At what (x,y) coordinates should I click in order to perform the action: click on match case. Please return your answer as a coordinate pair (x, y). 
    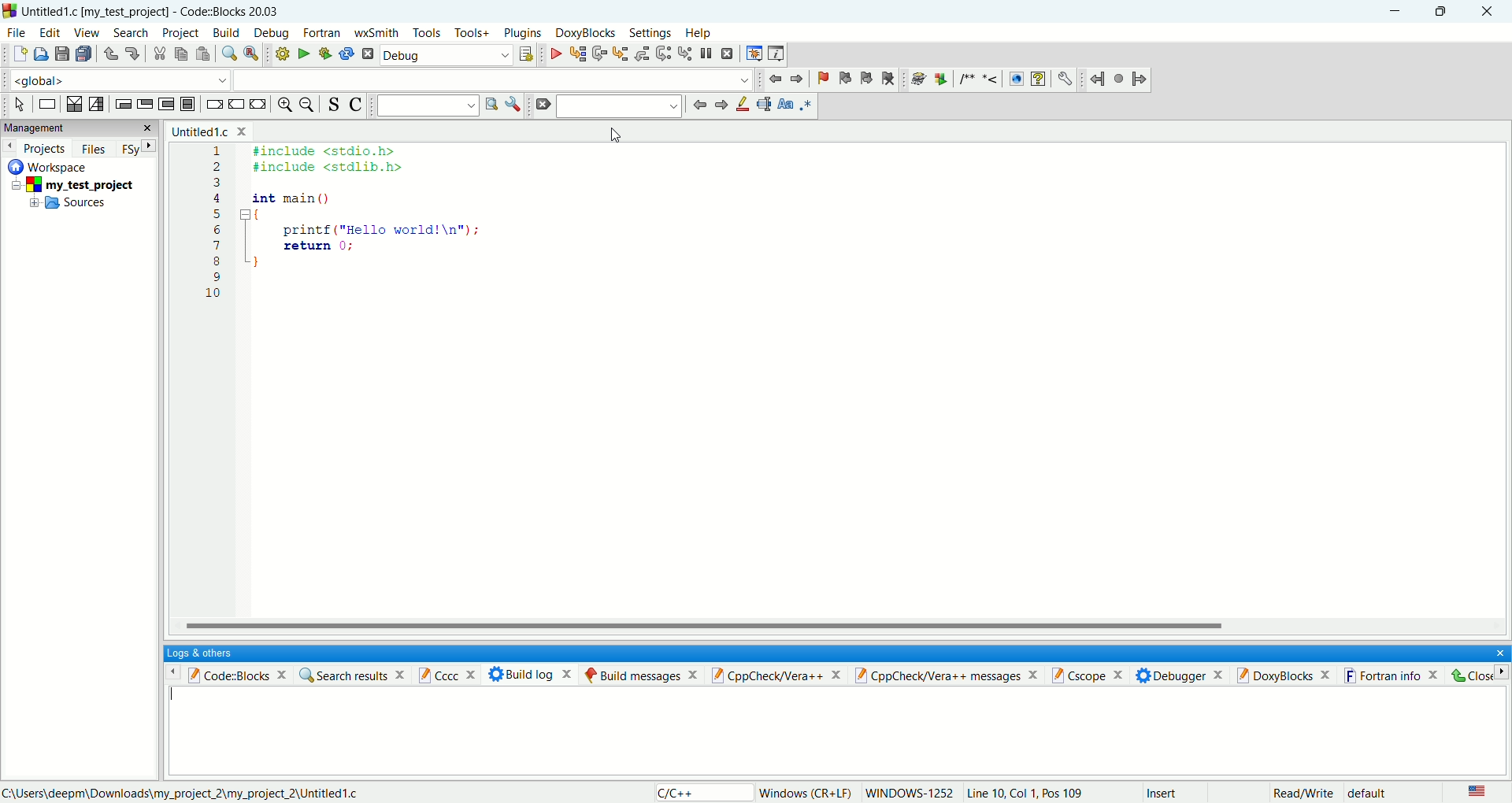
    Looking at the image, I should click on (785, 104).